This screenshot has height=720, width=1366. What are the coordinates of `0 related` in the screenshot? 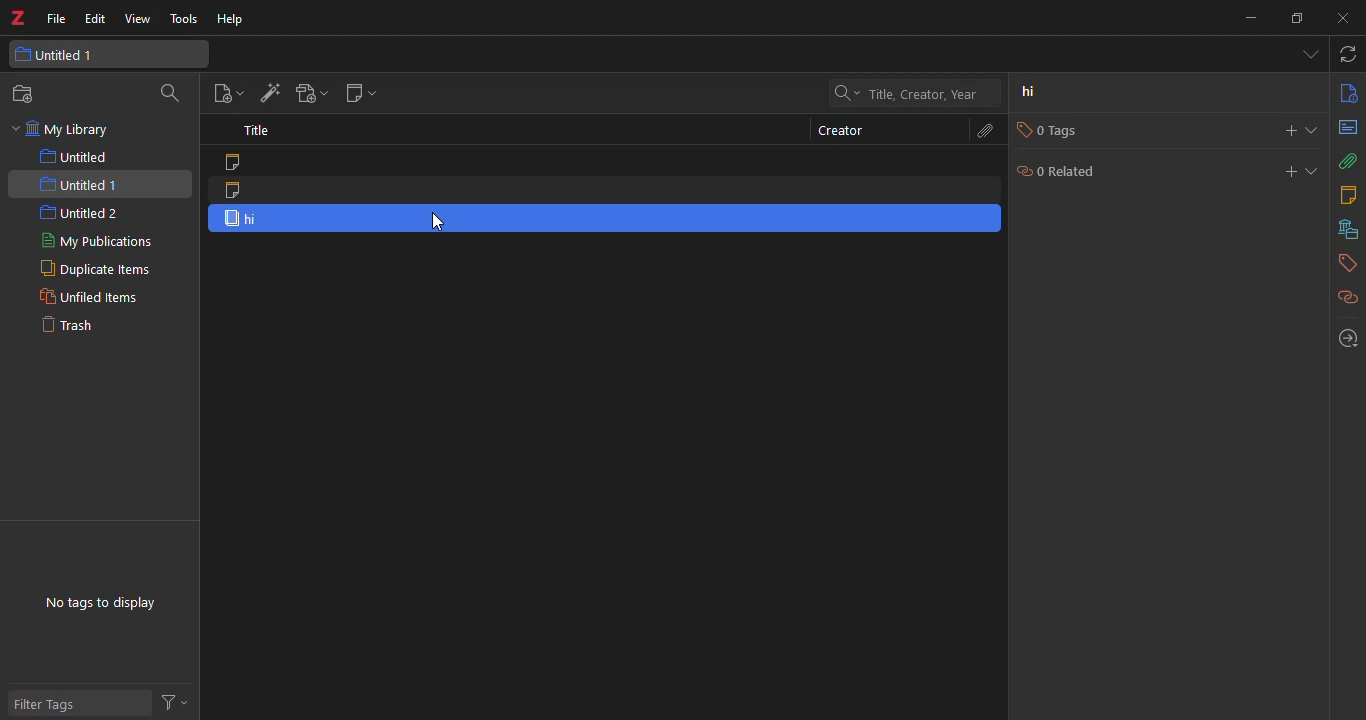 It's located at (1060, 172).